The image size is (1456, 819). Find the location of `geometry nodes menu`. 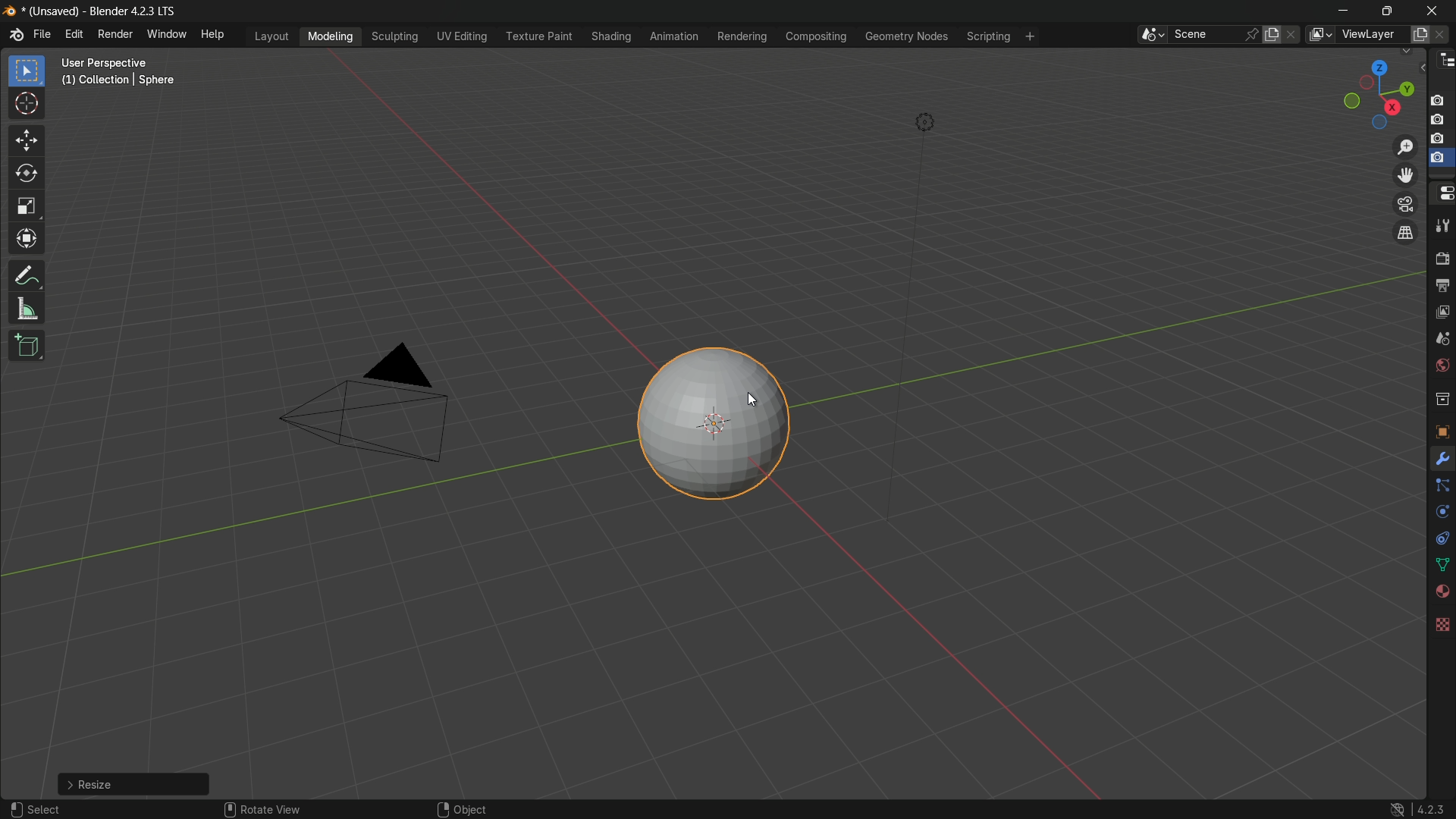

geometry nodes menu is located at coordinates (908, 38).